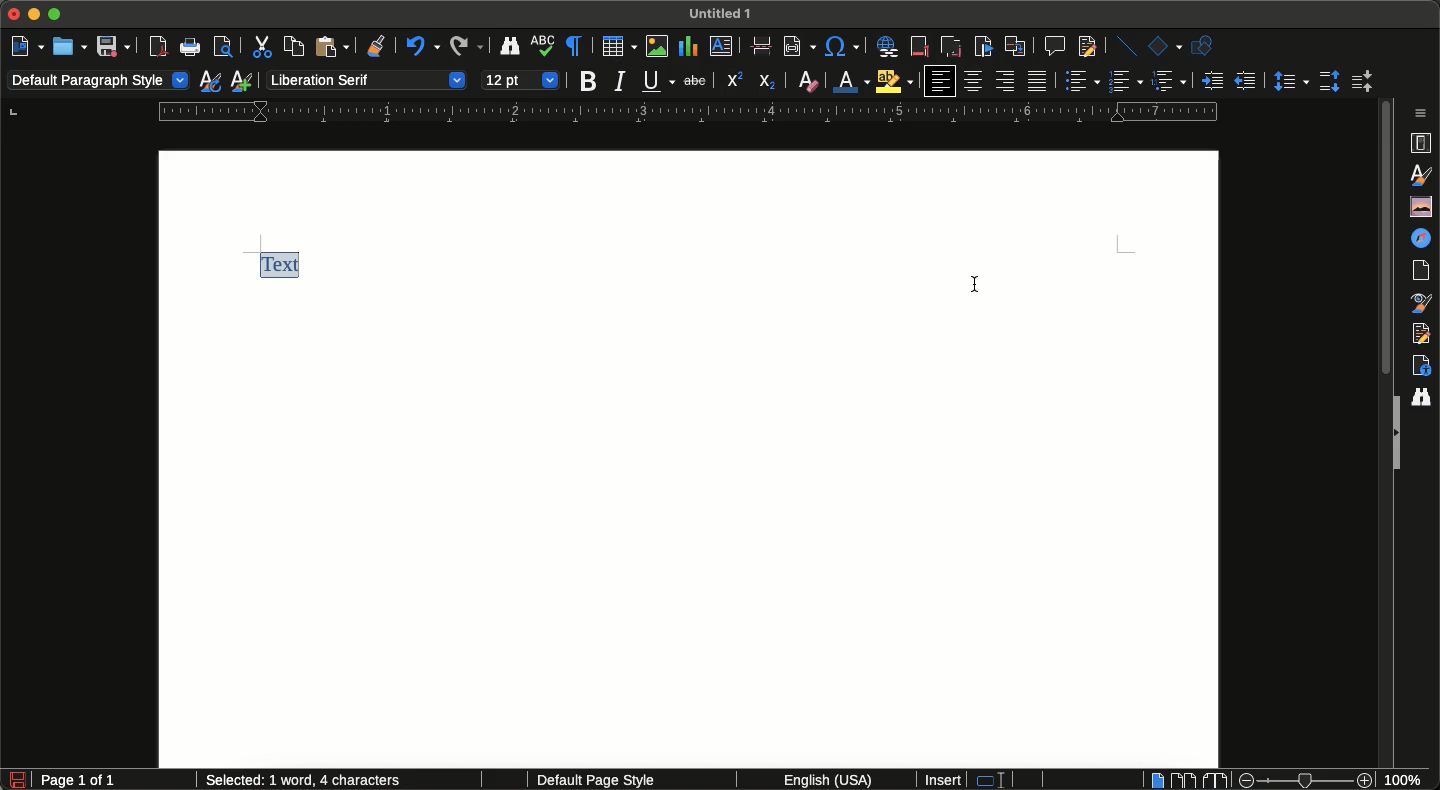 This screenshot has width=1440, height=790. What do you see at coordinates (1212, 80) in the screenshot?
I see `Increase` at bounding box center [1212, 80].